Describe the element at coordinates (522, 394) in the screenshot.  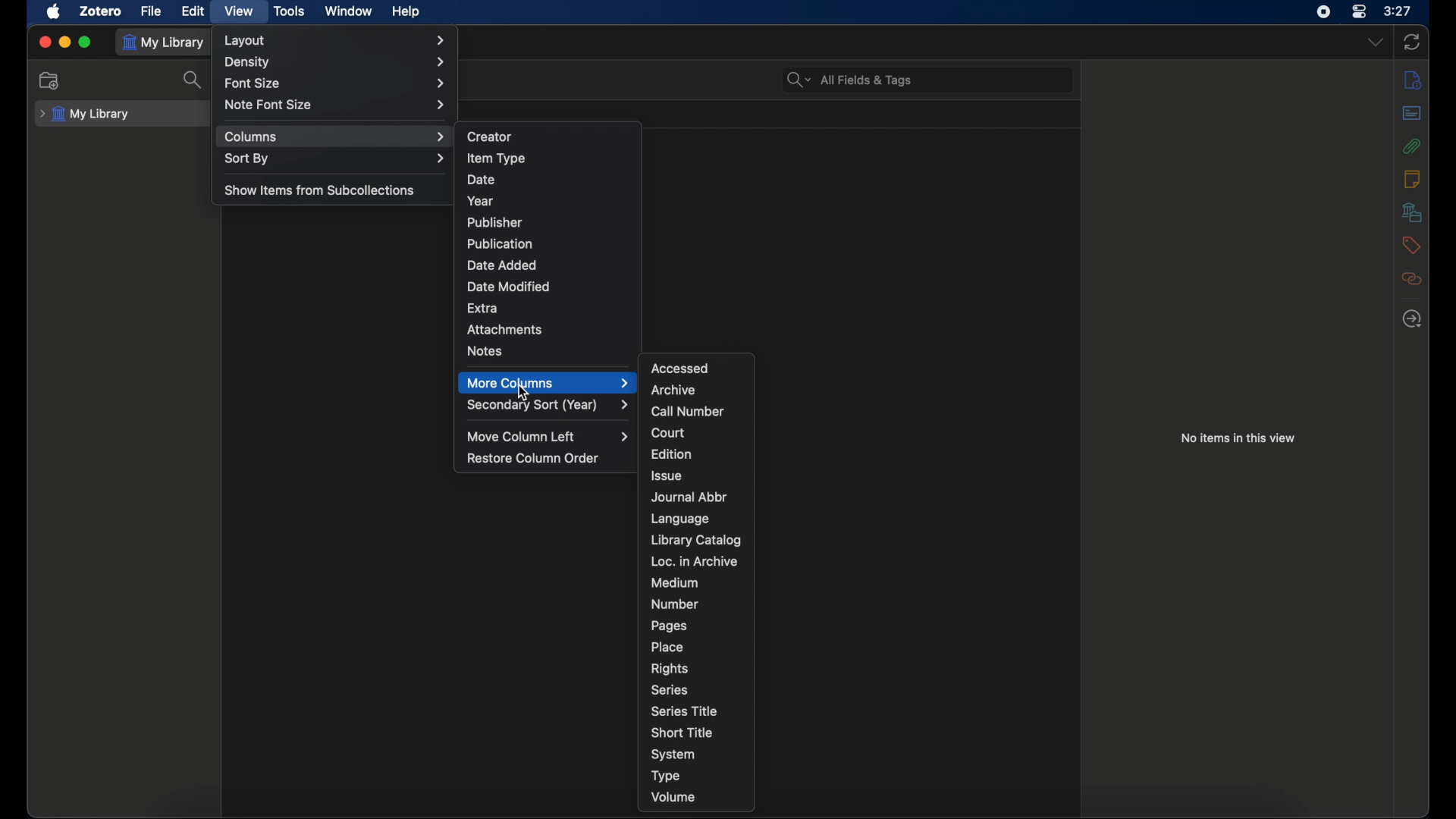
I see `Cursor` at that location.